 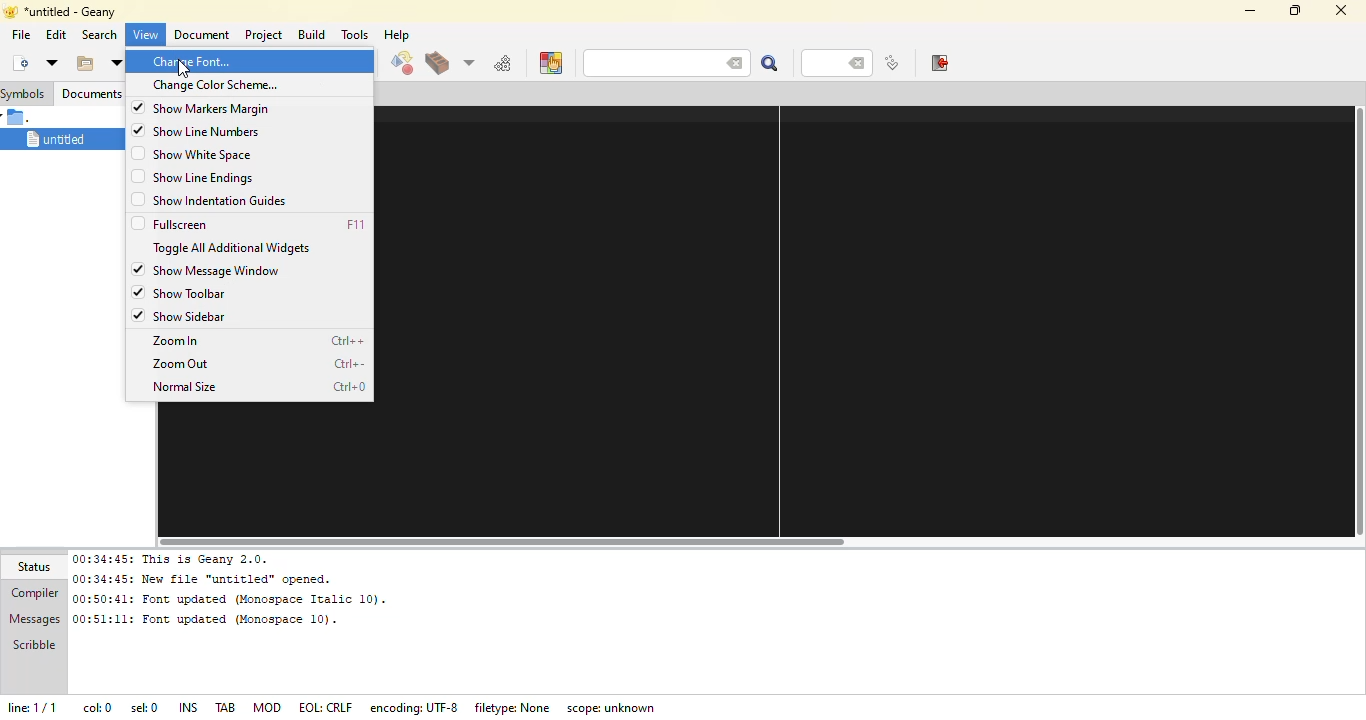 What do you see at coordinates (83, 63) in the screenshot?
I see `open existing` at bounding box center [83, 63].